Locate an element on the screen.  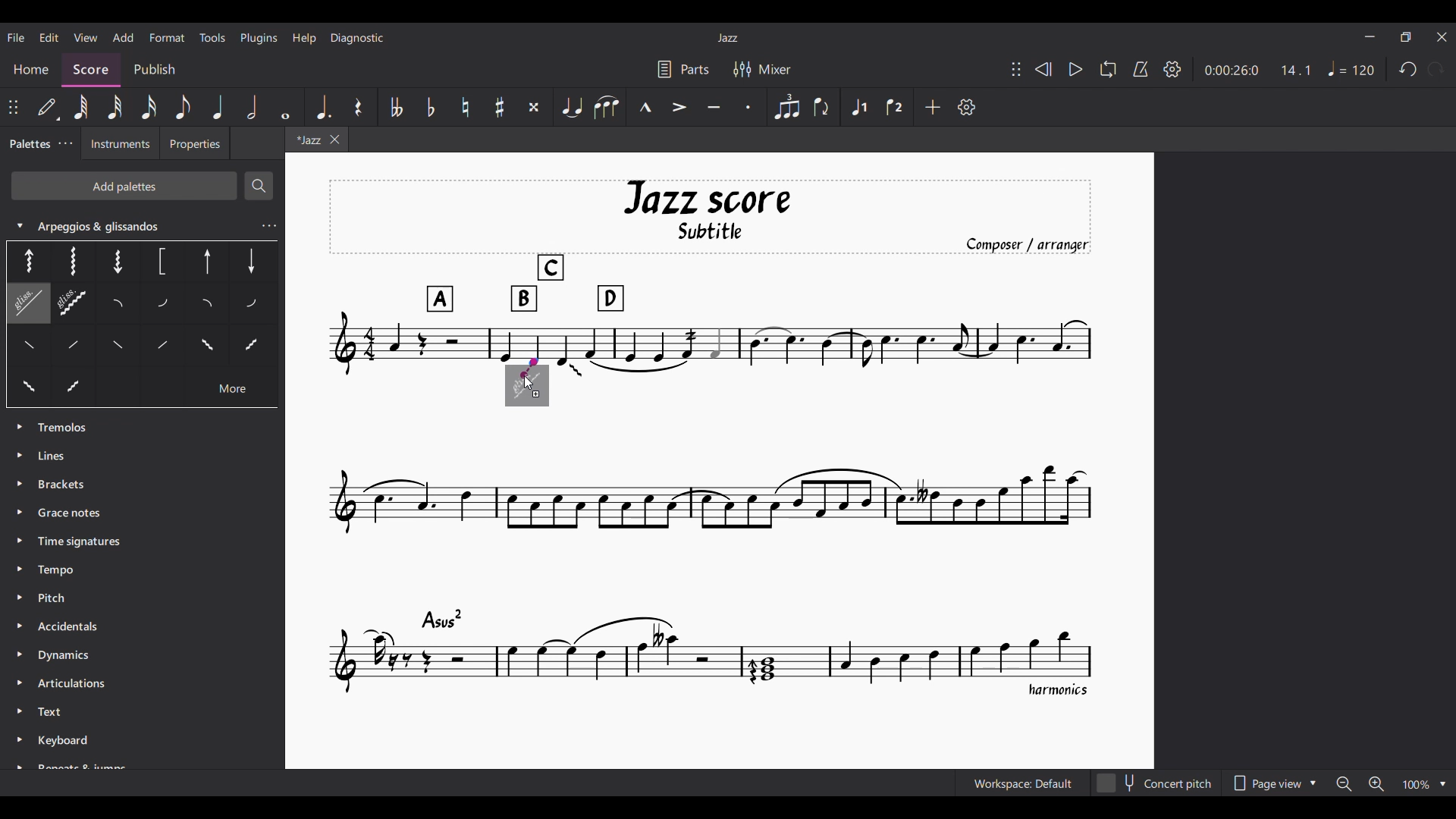
Dynamics is located at coordinates (69, 657).